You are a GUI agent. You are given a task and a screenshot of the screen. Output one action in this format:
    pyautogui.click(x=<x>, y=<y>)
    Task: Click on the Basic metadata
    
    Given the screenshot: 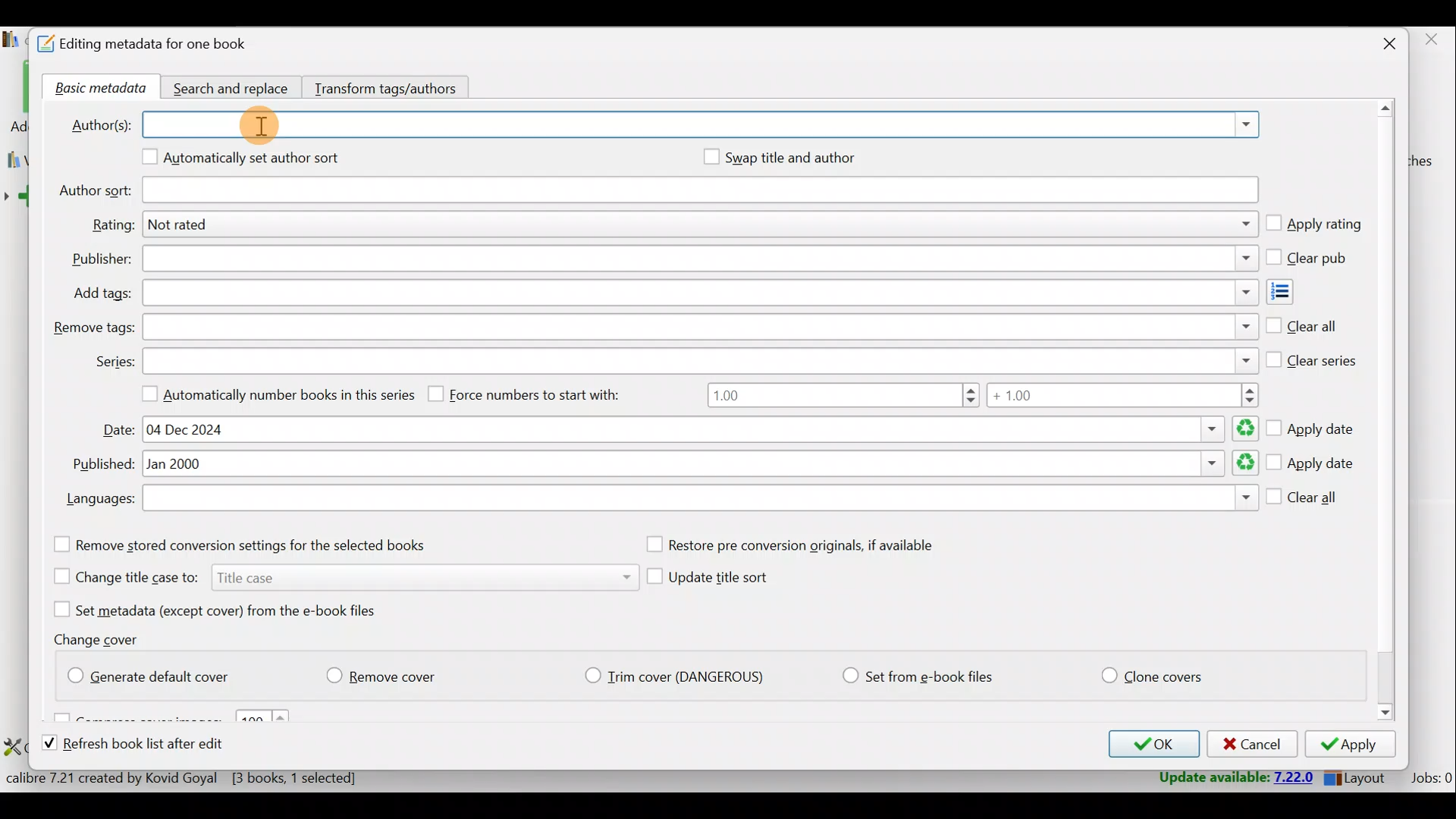 What is the action you would take?
    pyautogui.click(x=96, y=89)
    